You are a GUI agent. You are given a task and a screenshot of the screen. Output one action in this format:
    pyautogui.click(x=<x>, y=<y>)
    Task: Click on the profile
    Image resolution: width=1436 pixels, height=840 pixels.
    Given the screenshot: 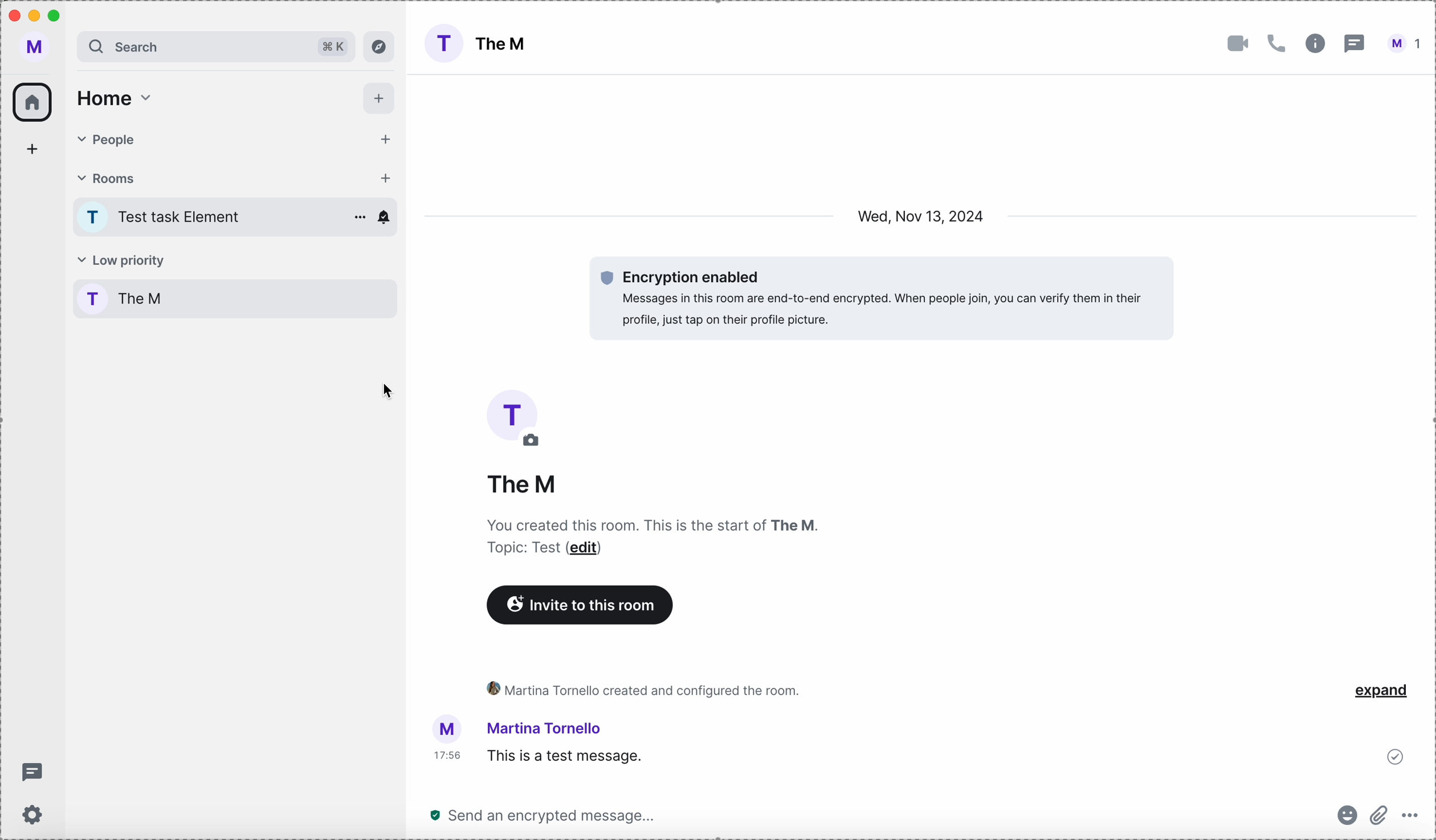 What is the action you would take?
    pyautogui.click(x=440, y=43)
    